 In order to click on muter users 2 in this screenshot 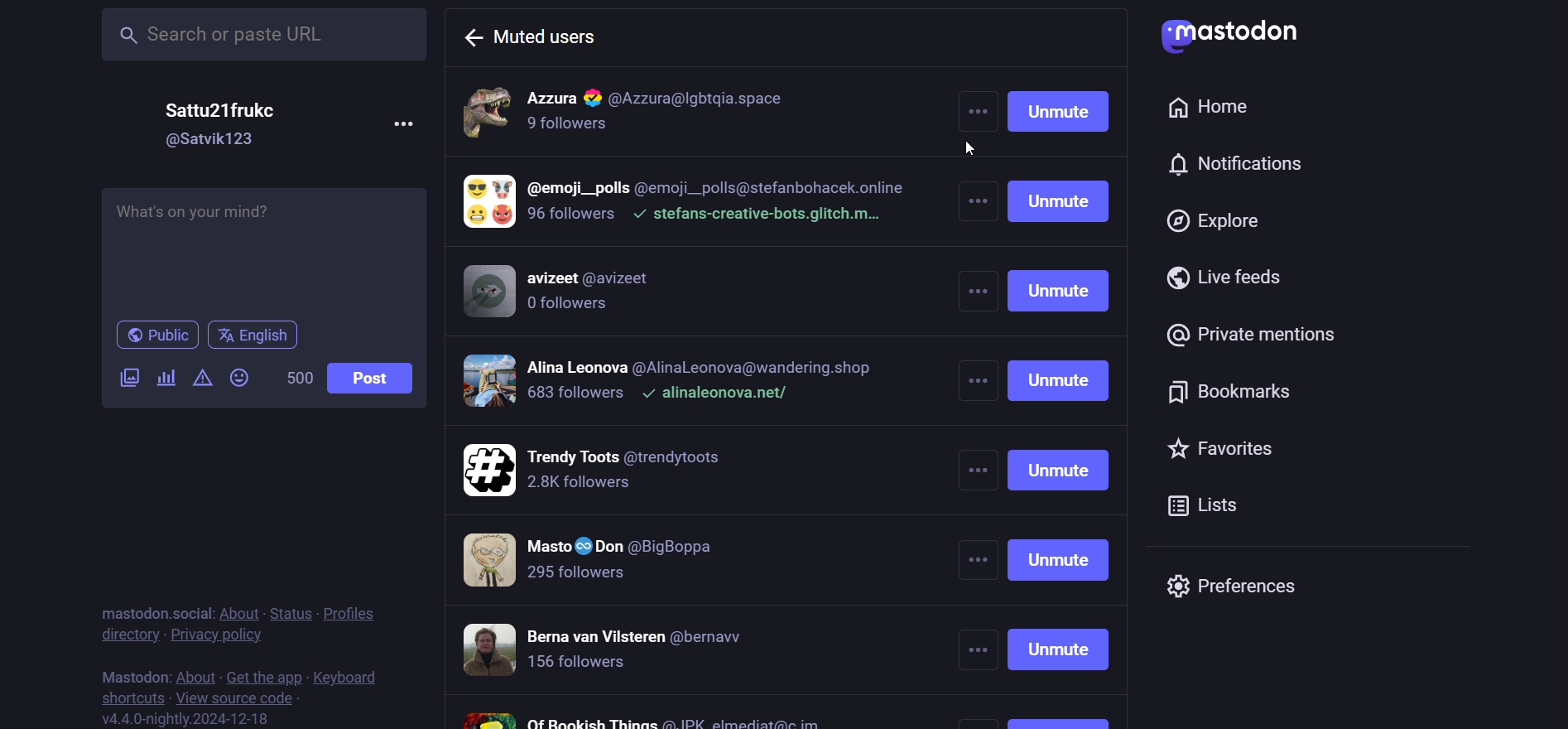, I will do `click(686, 204)`.